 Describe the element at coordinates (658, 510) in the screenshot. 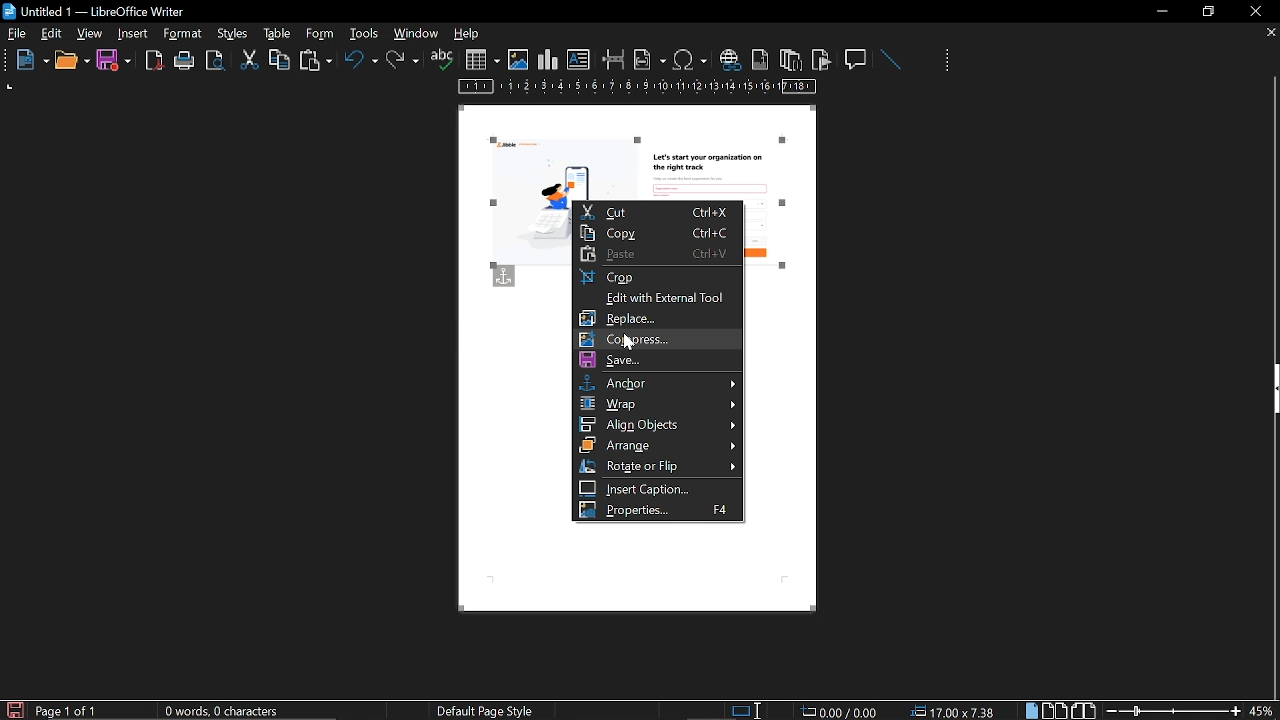

I see `properties` at that location.